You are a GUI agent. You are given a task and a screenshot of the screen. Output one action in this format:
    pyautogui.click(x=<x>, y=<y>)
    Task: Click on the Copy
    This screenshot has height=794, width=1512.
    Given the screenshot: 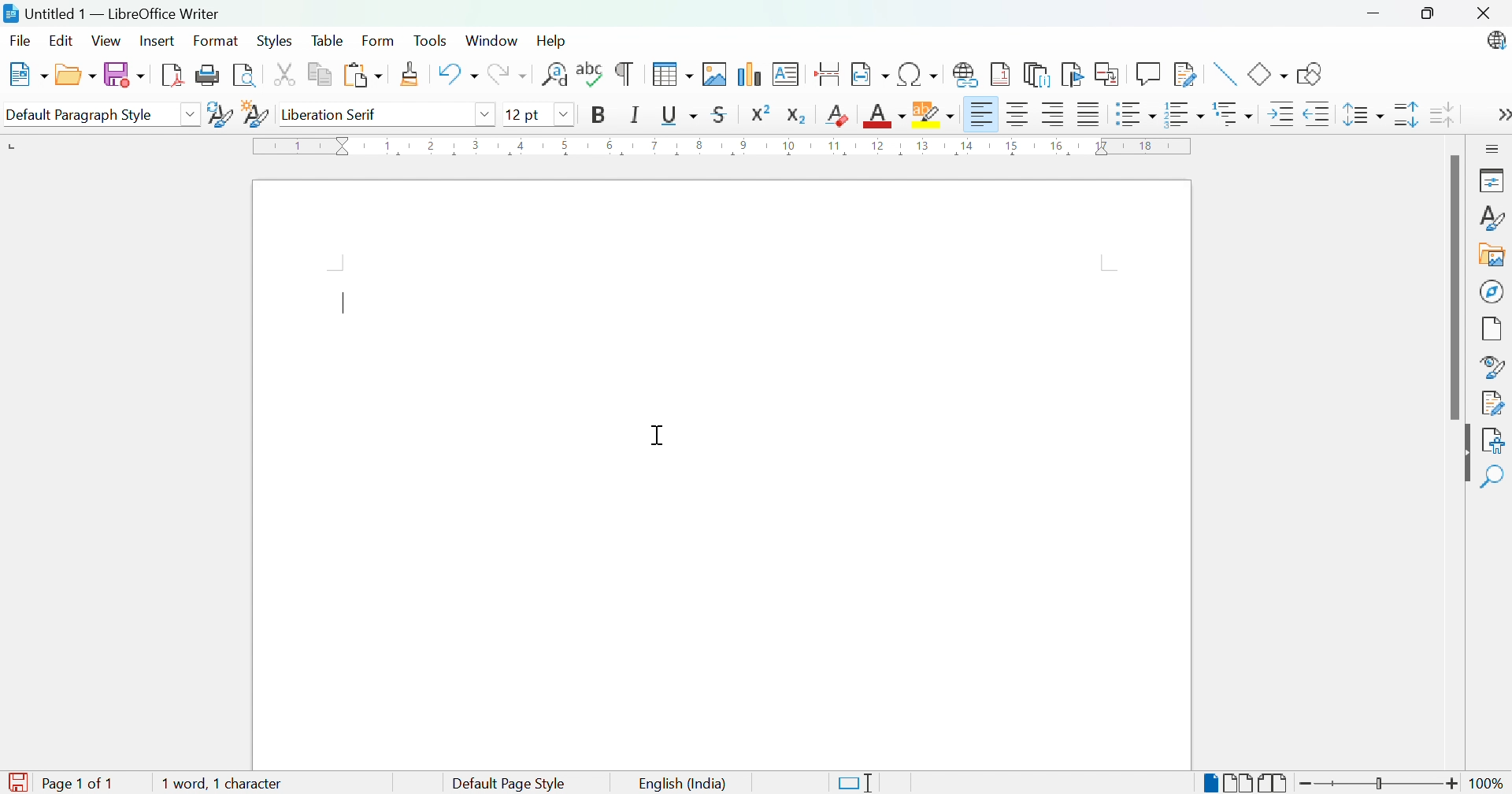 What is the action you would take?
    pyautogui.click(x=324, y=75)
    